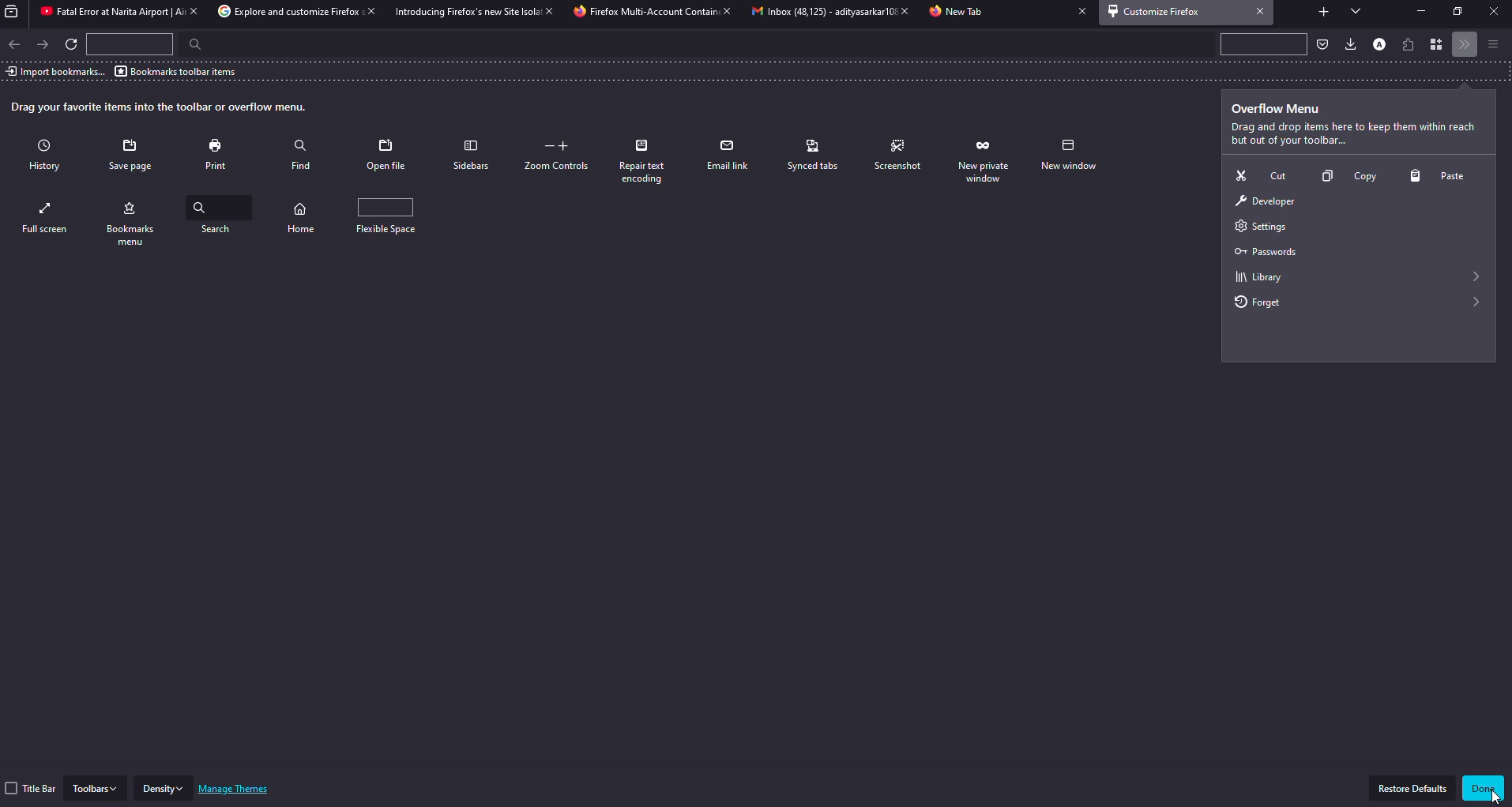  I want to click on private window, so click(1067, 156).